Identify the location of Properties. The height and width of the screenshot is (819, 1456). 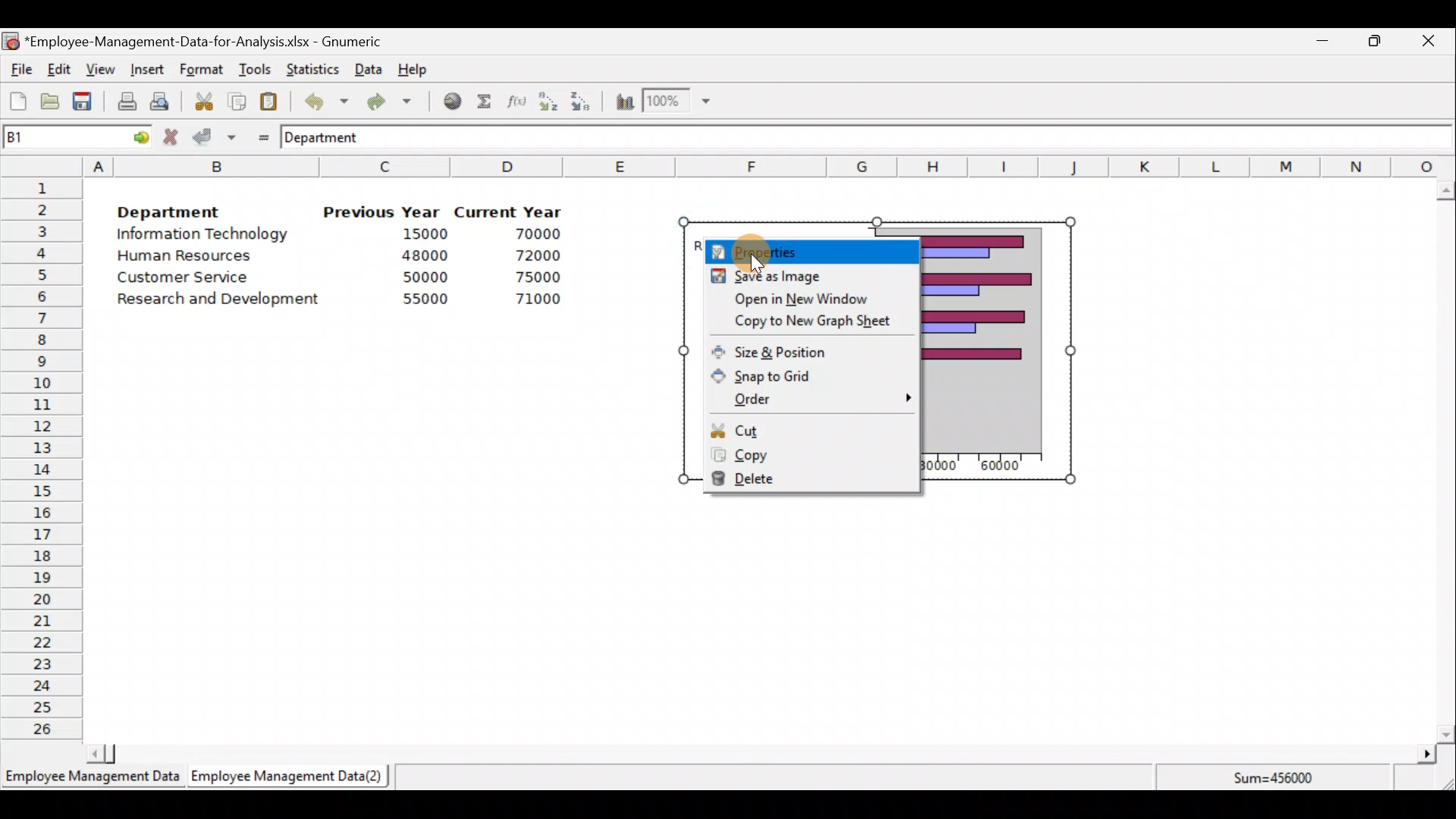
(809, 248).